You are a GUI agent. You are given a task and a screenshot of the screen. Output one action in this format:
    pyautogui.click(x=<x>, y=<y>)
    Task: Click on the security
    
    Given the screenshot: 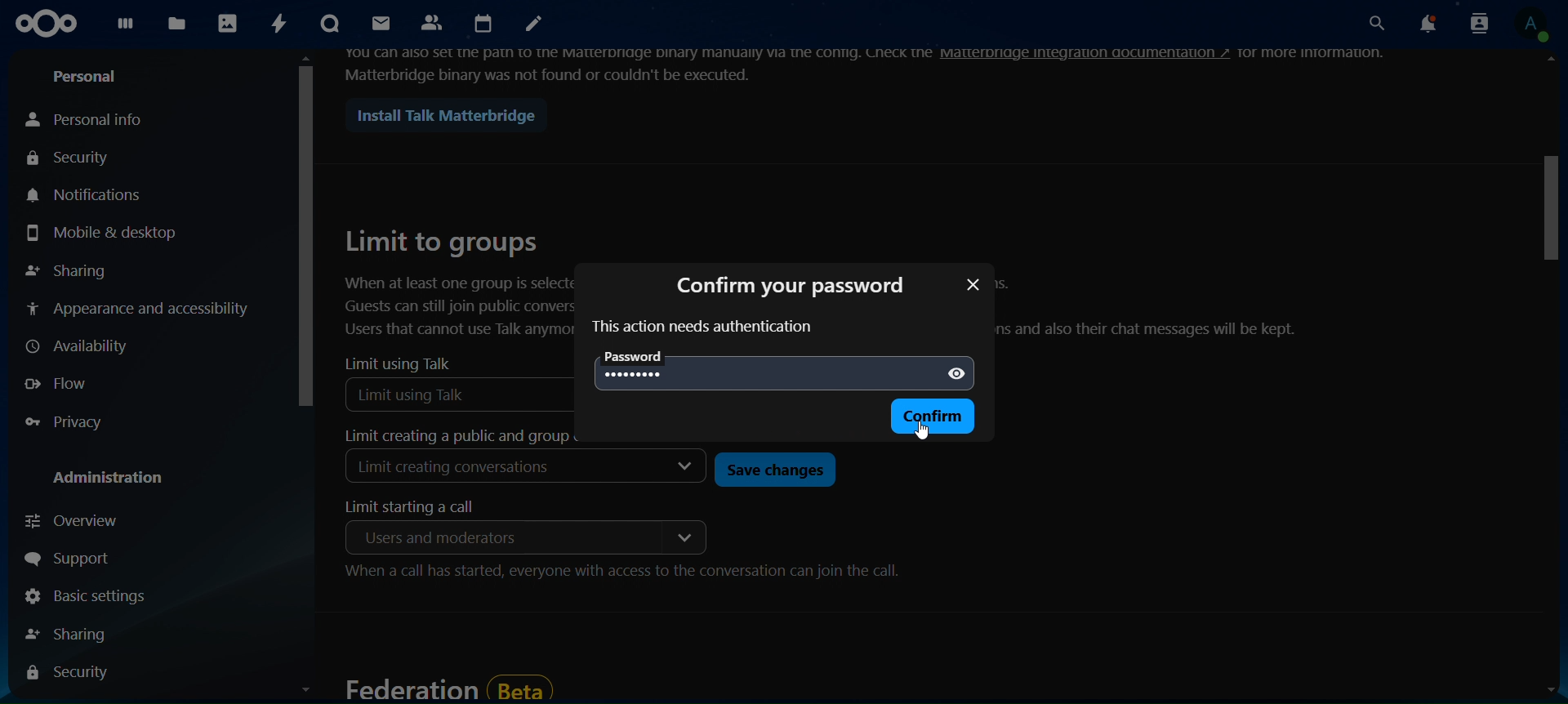 What is the action you would take?
    pyautogui.click(x=71, y=673)
    